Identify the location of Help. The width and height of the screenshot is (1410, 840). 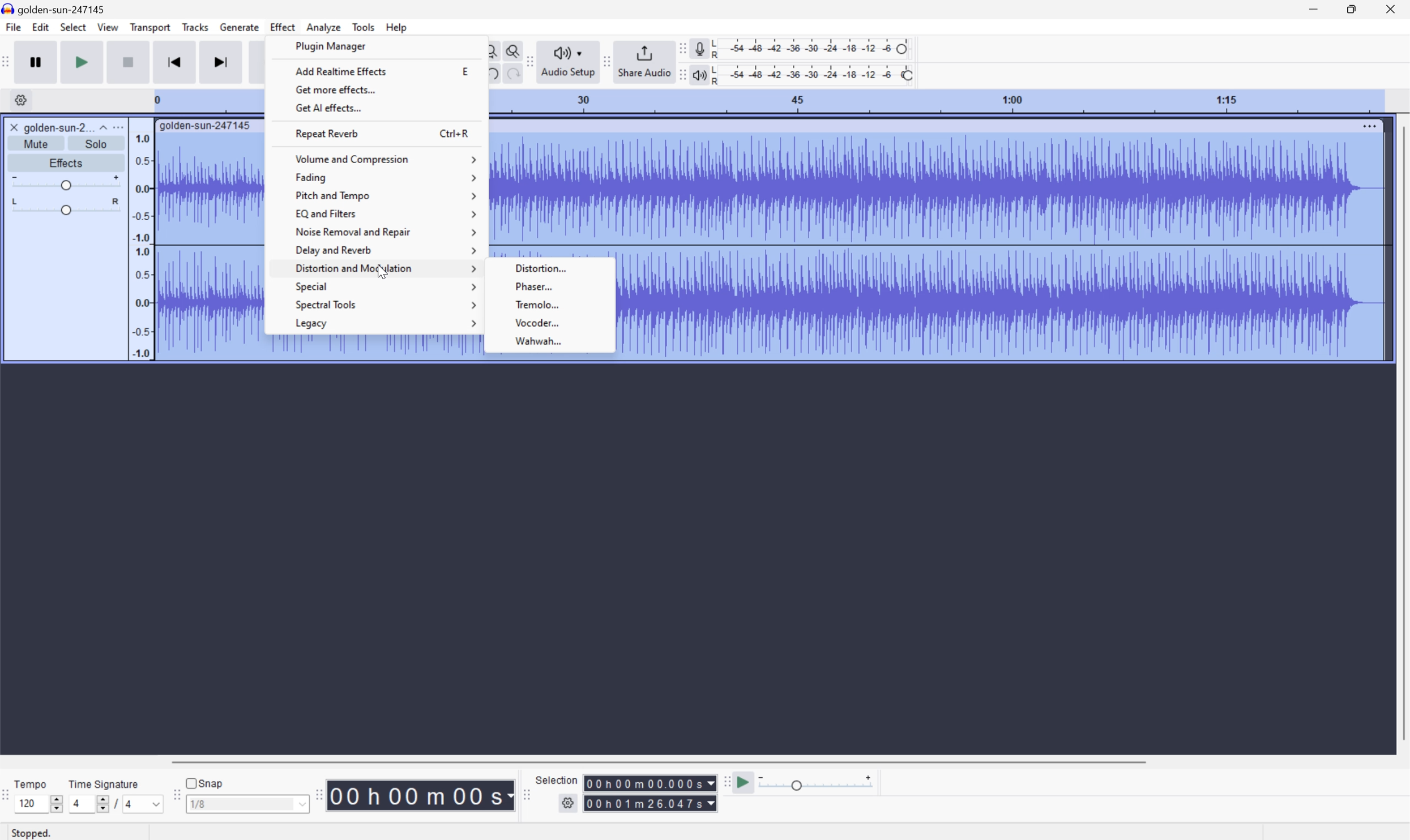
(397, 26).